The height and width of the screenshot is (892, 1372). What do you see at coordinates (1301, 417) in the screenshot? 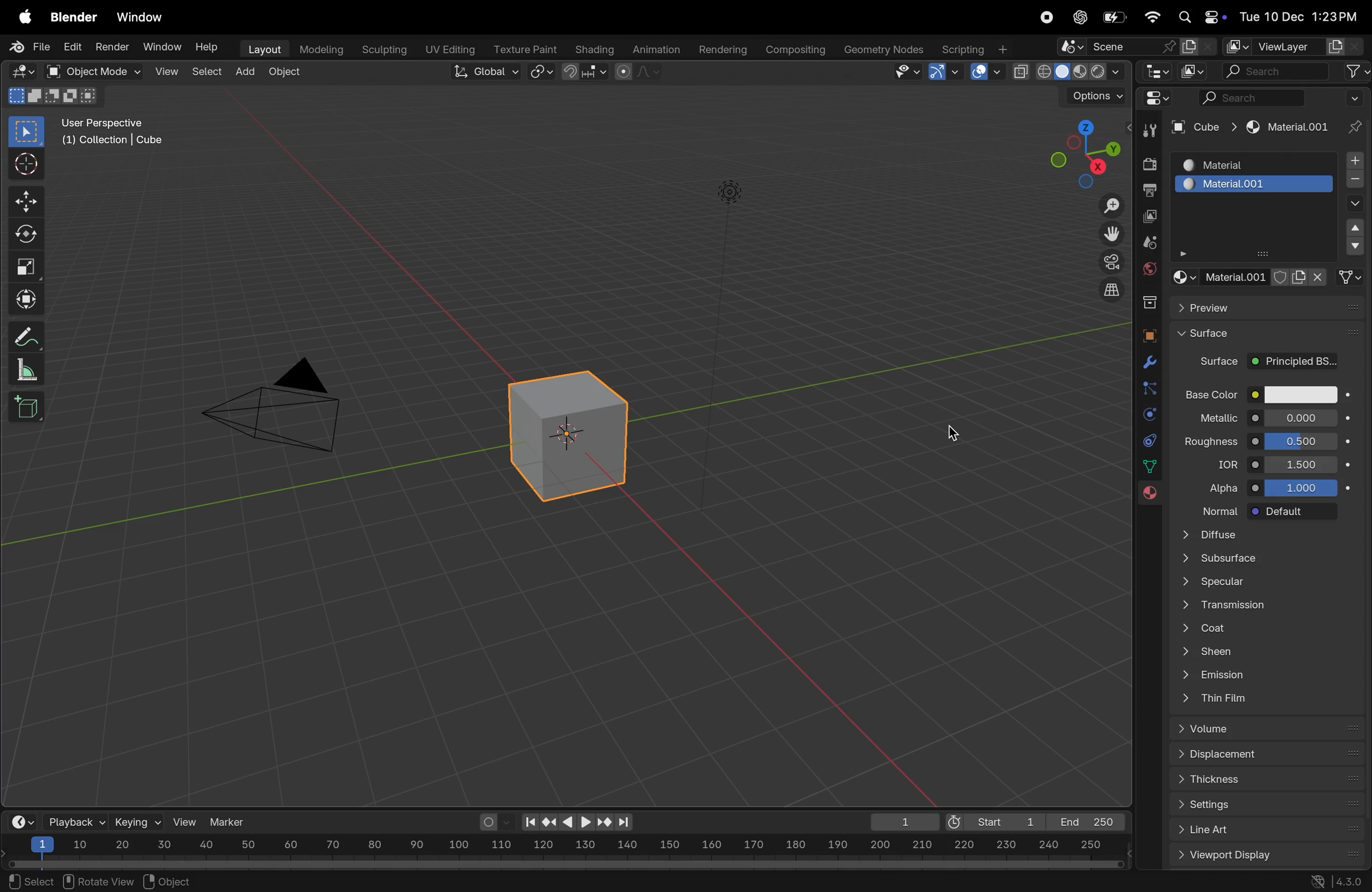
I see `0.00` at bounding box center [1301, 417].